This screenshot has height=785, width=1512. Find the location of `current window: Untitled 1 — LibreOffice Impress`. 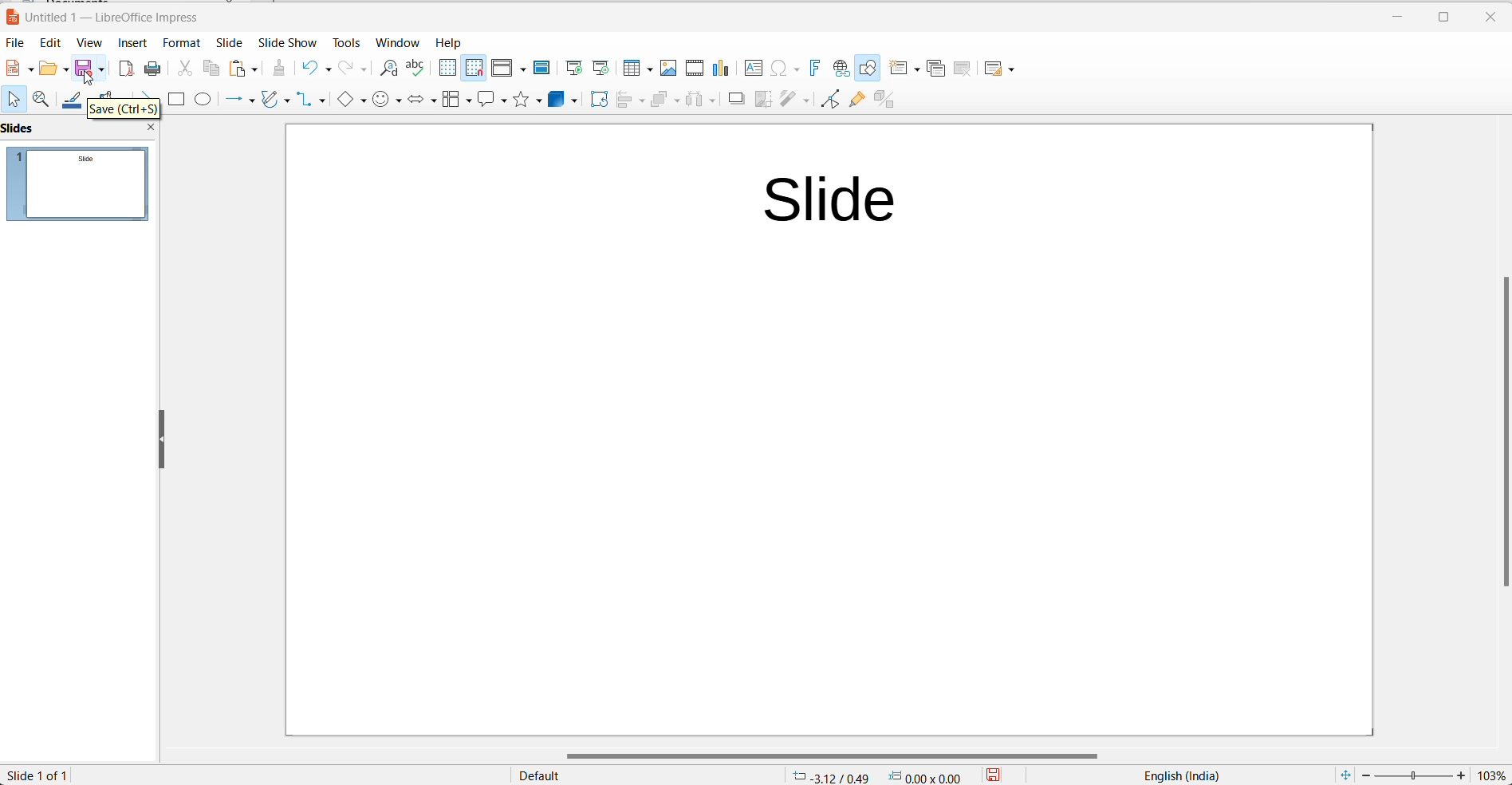

current window: Untitled 1 — LibreOffice Impress is located at coordinates (109, 17).